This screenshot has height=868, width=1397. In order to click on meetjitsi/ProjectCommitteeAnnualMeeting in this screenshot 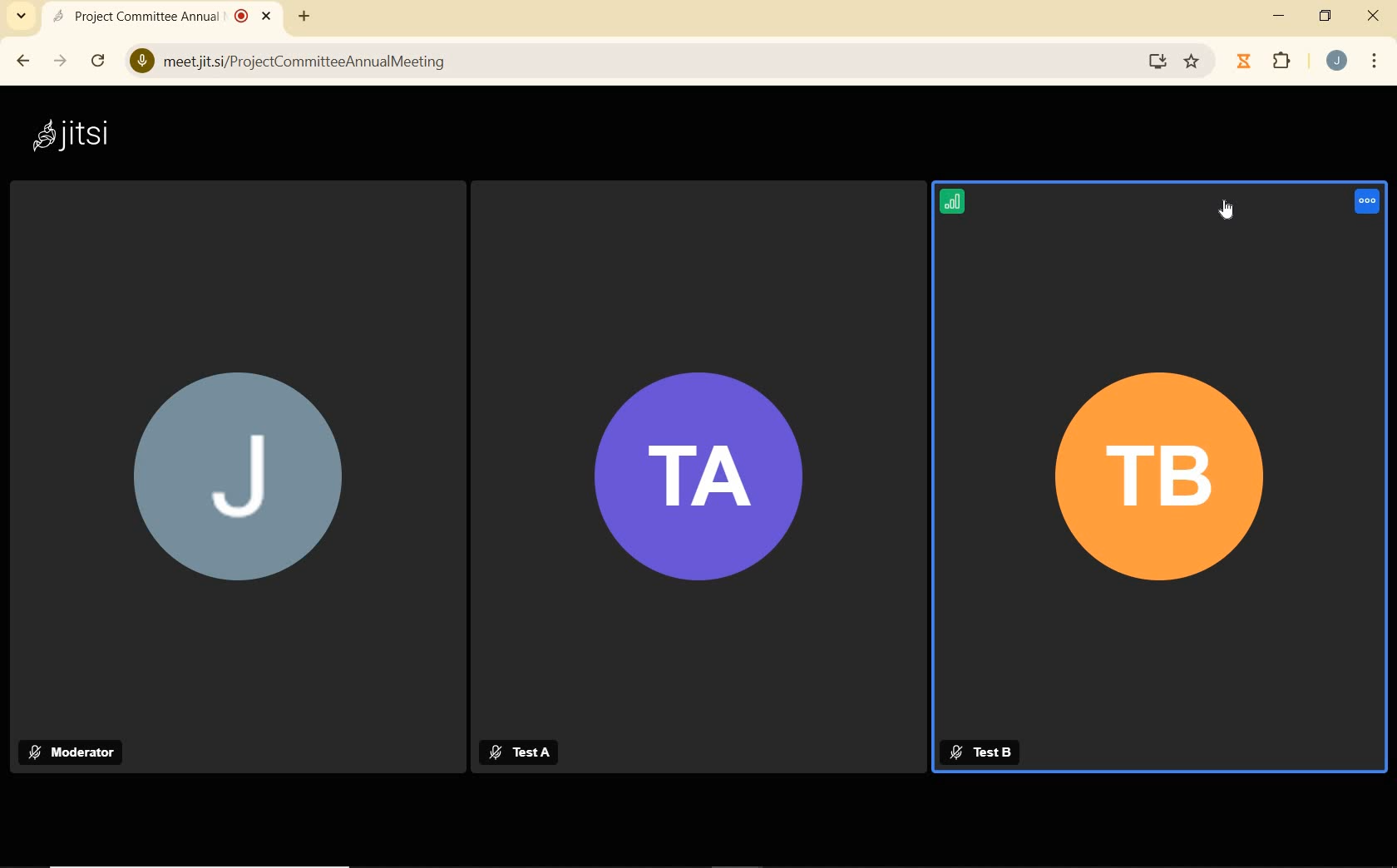, I will do `click(630, 64)`.